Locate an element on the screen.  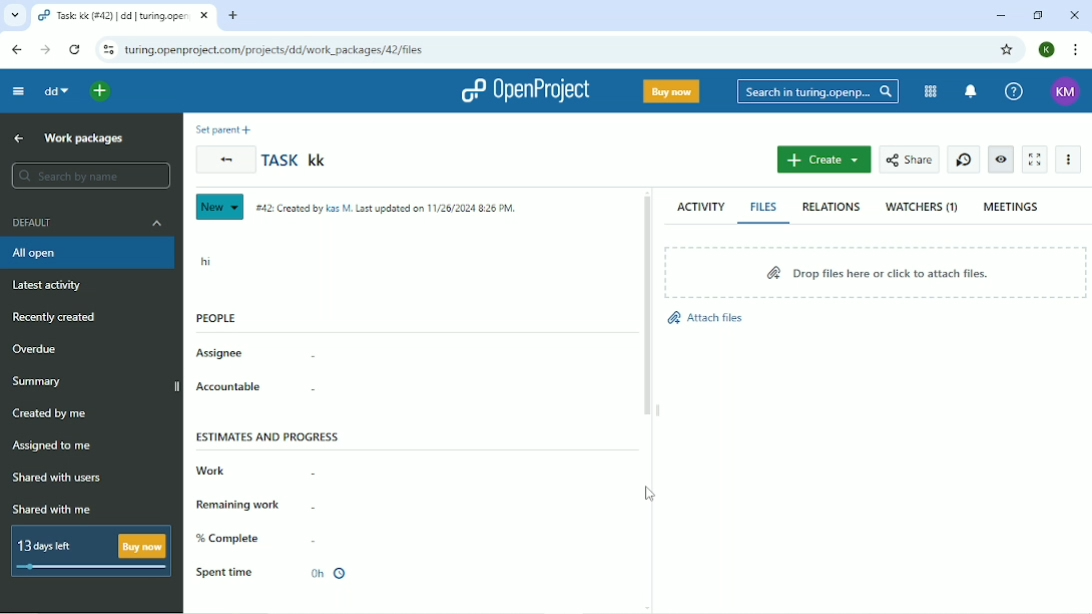
Recently added is located at coordinates (55, 318).